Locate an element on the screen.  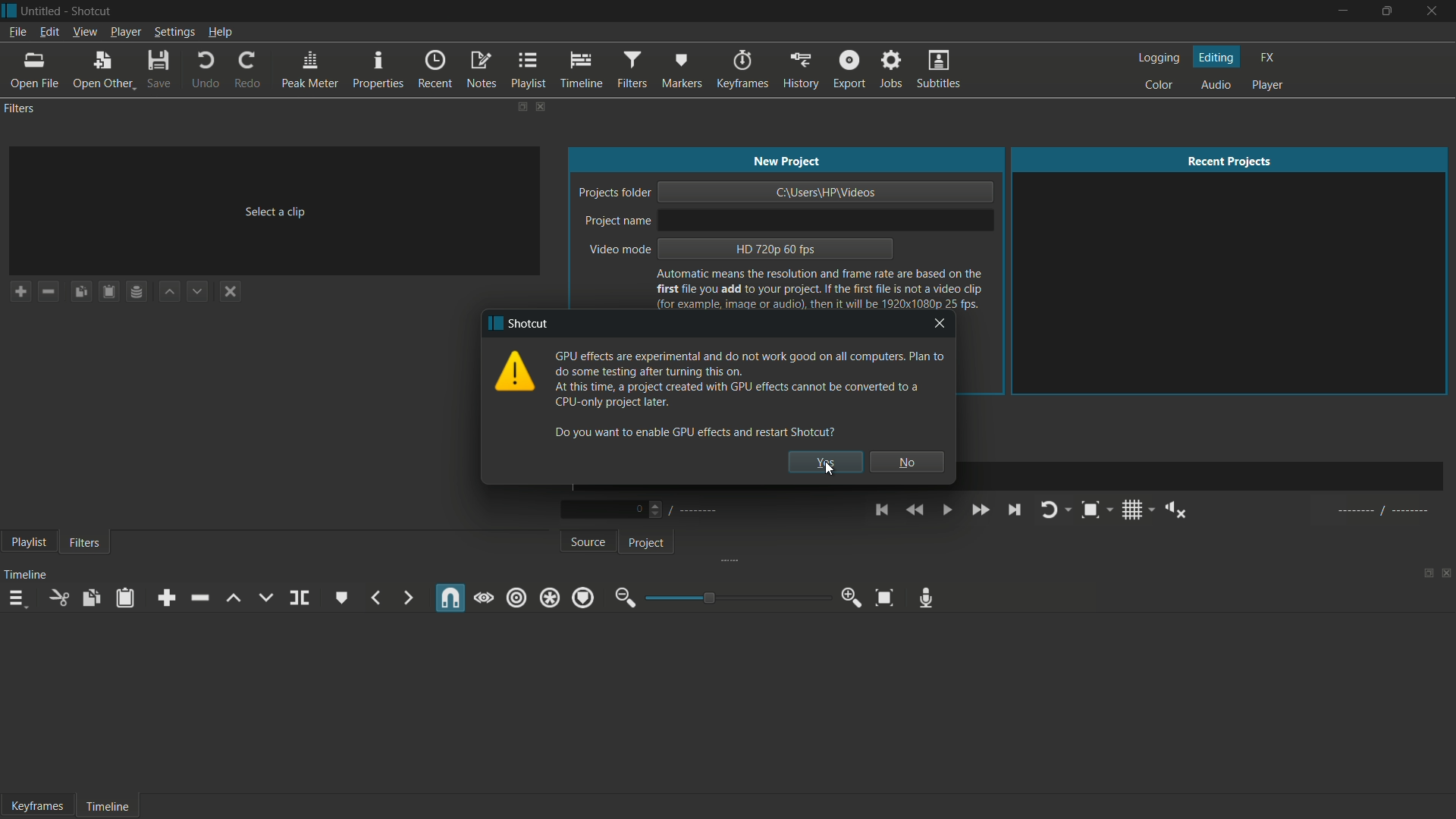
export is located at coordinates (850, 70).